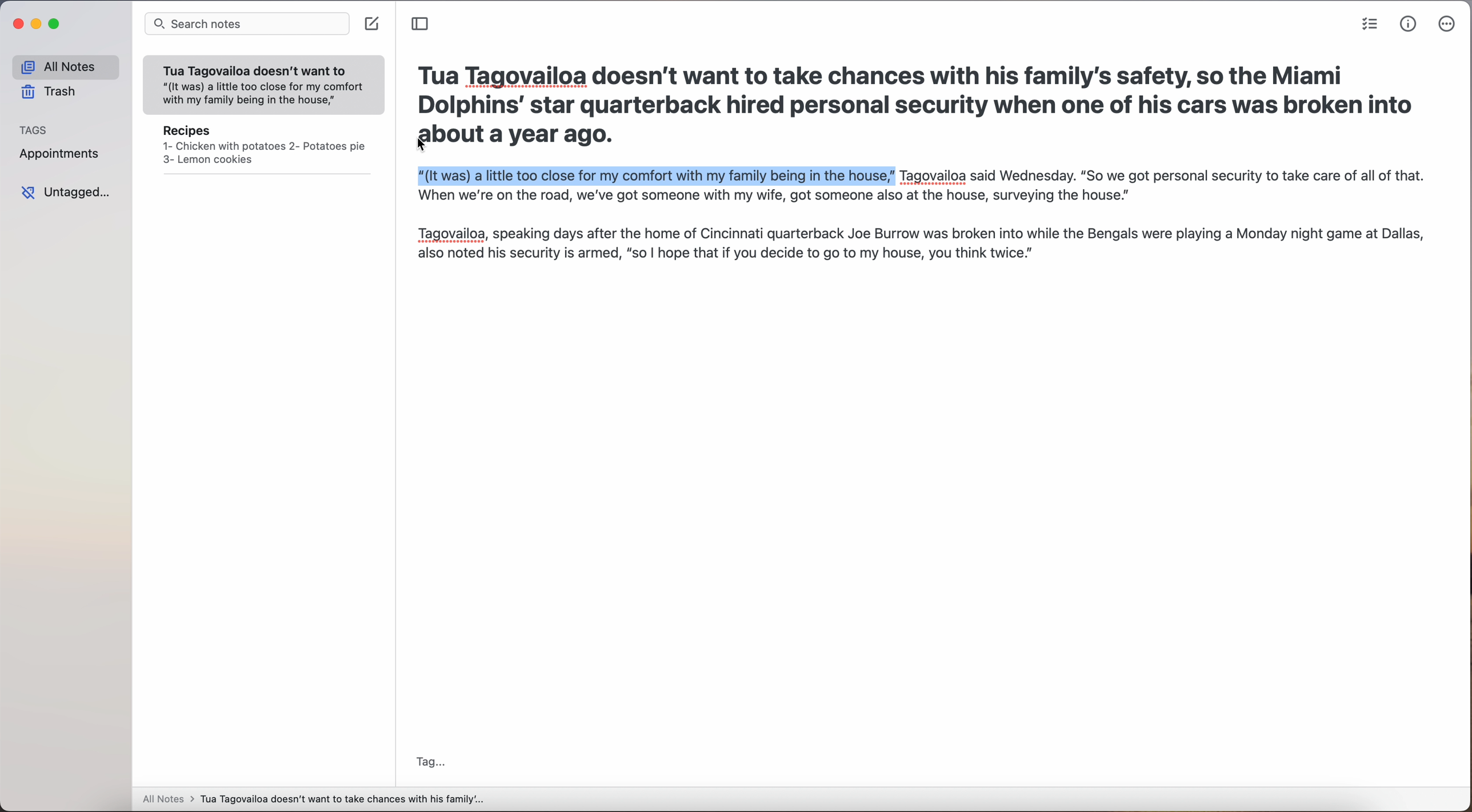 The image size is (1472, 812). What do you see at coordinates (1370, 24) in the screenshot?
I see `check list` at bounding box center [1370, 24].